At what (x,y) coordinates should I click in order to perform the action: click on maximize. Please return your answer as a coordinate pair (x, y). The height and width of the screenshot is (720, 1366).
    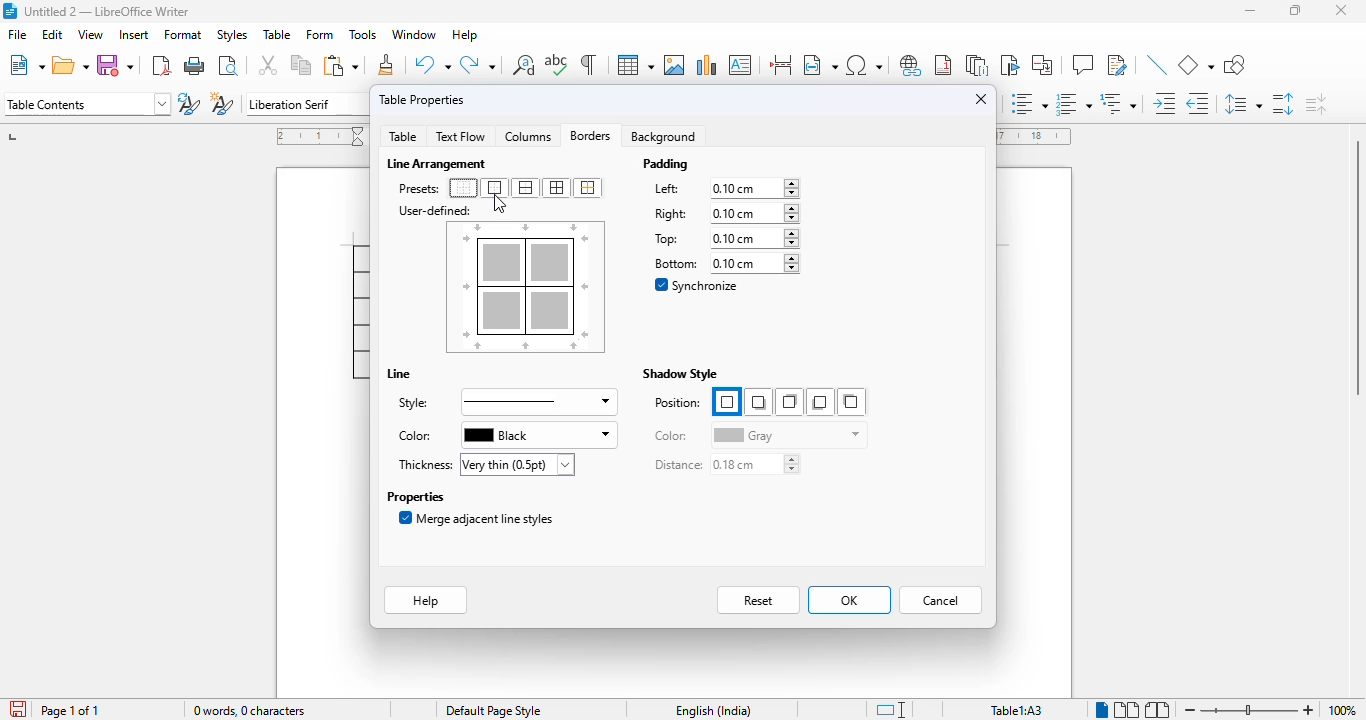
    Looking at the image, I should click on (1297, 10).